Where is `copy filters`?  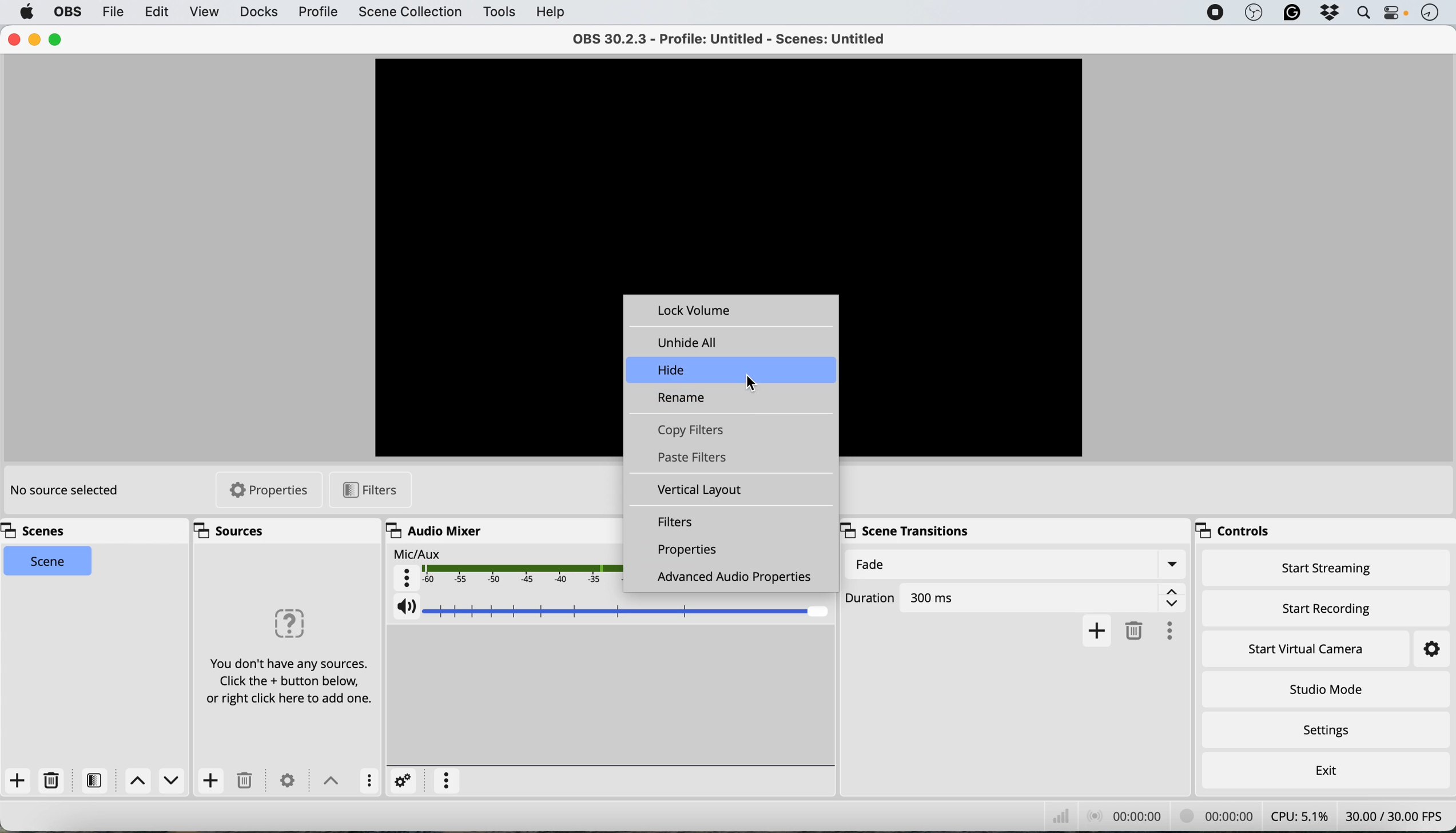
copy filters is located at coordinates (697, 431).